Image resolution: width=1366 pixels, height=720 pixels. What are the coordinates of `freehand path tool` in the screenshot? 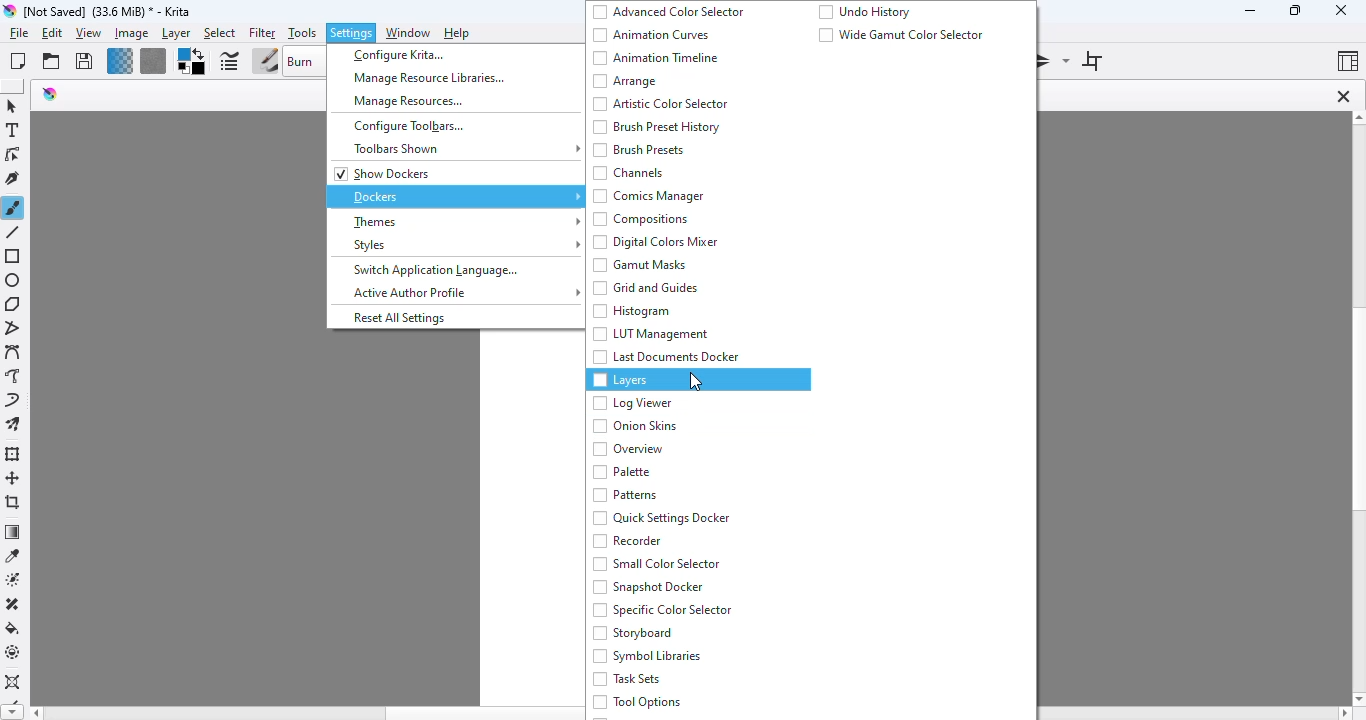 It's located at (13, 376).